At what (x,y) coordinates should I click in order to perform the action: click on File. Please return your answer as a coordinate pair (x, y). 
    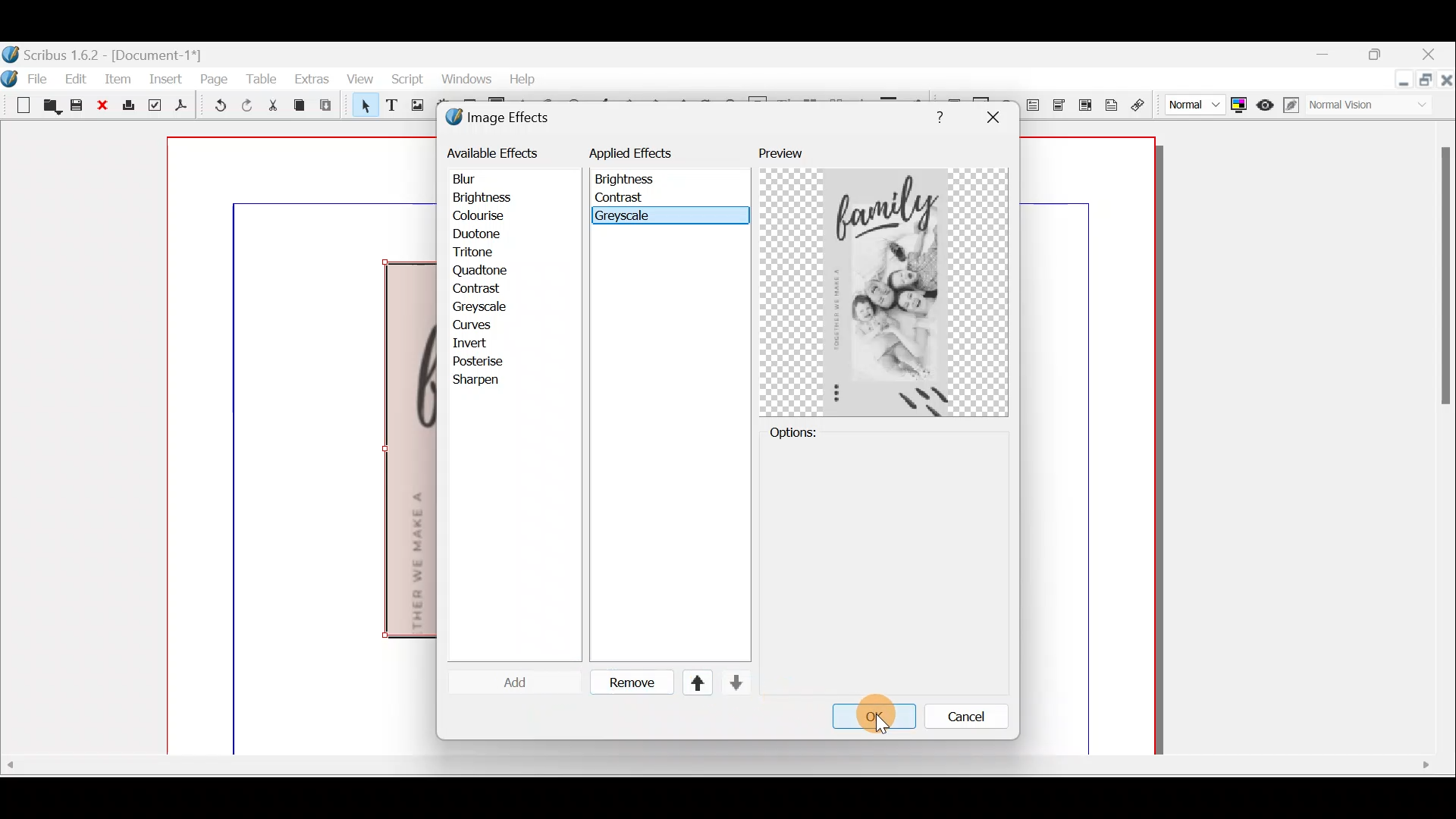
    Looking at the image, I should click on (40, 80).